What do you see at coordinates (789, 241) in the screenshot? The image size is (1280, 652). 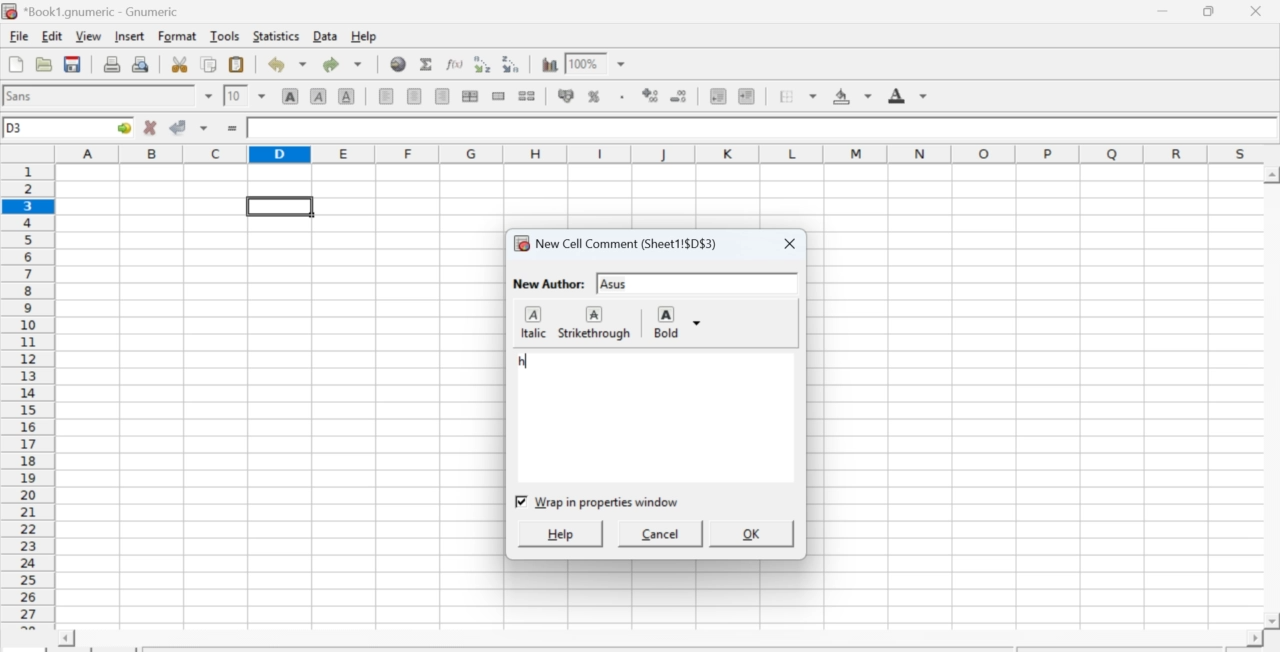 I see `close` at bounding box center [789, 241].